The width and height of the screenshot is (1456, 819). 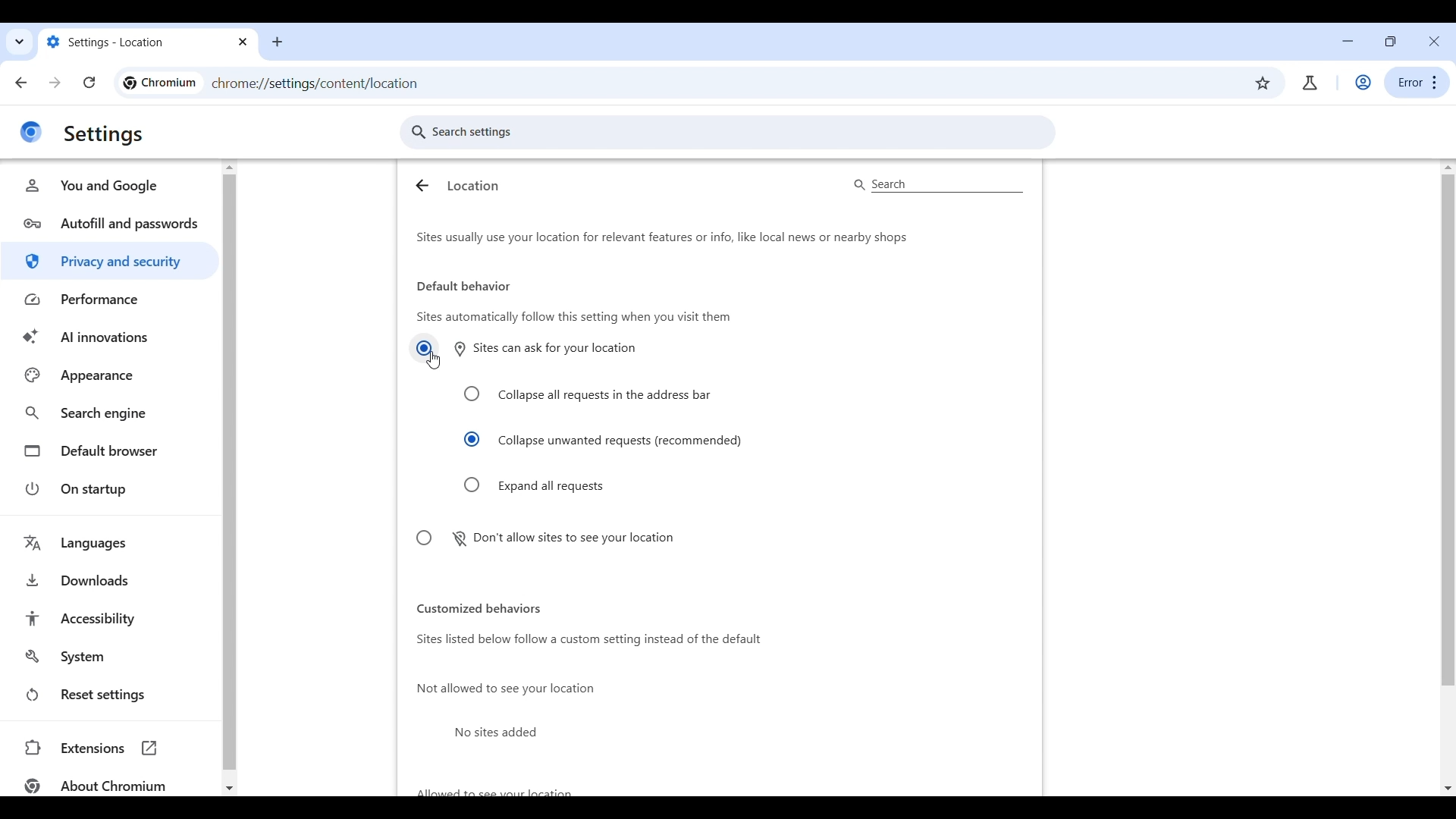 What do you see at coordinates (108, 450) in the screenshot?
I see `Default browser` at bounding box center [108, 450].